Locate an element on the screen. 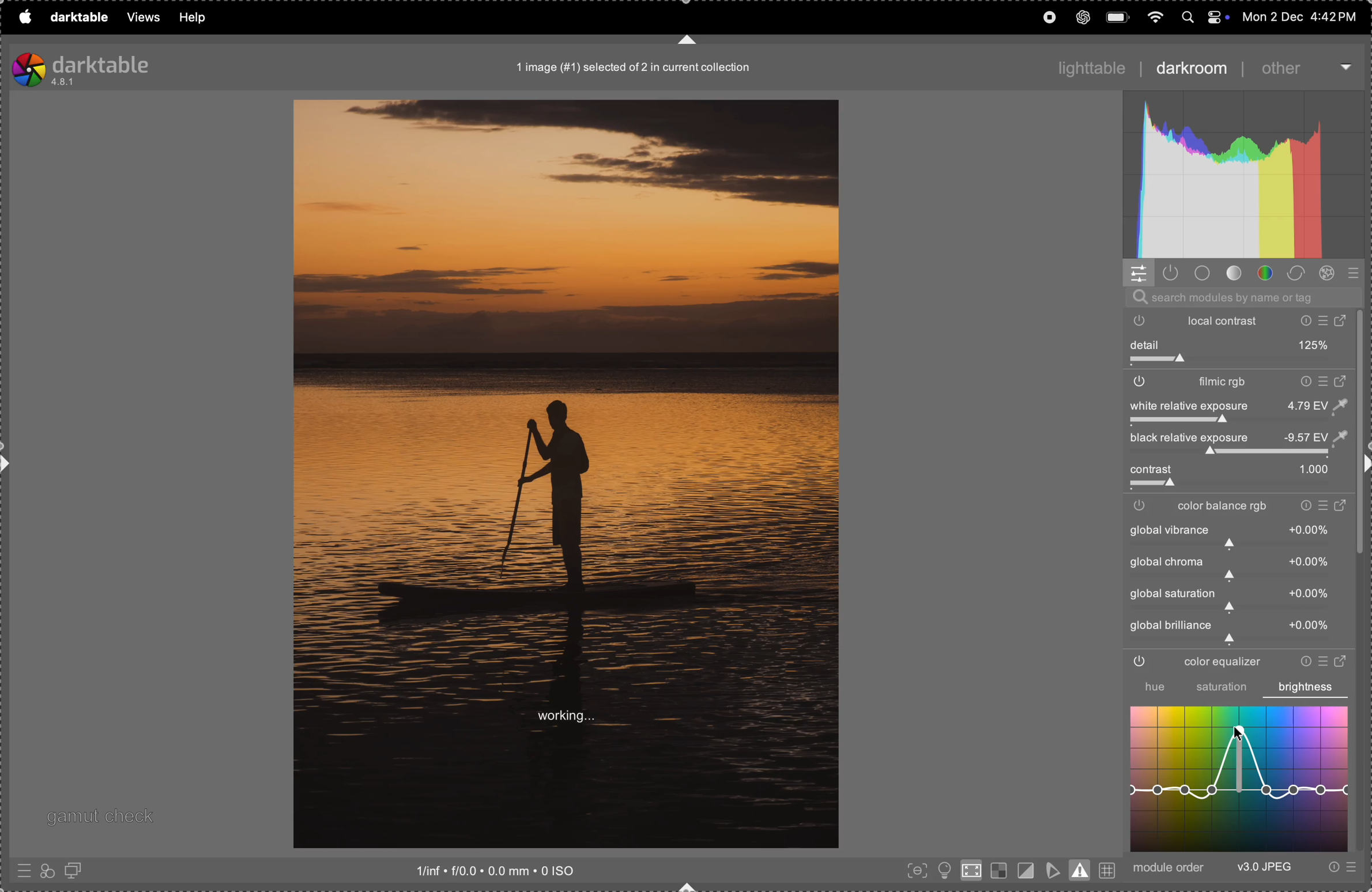  toggle softproffing is located at coordinates (1053, 868).